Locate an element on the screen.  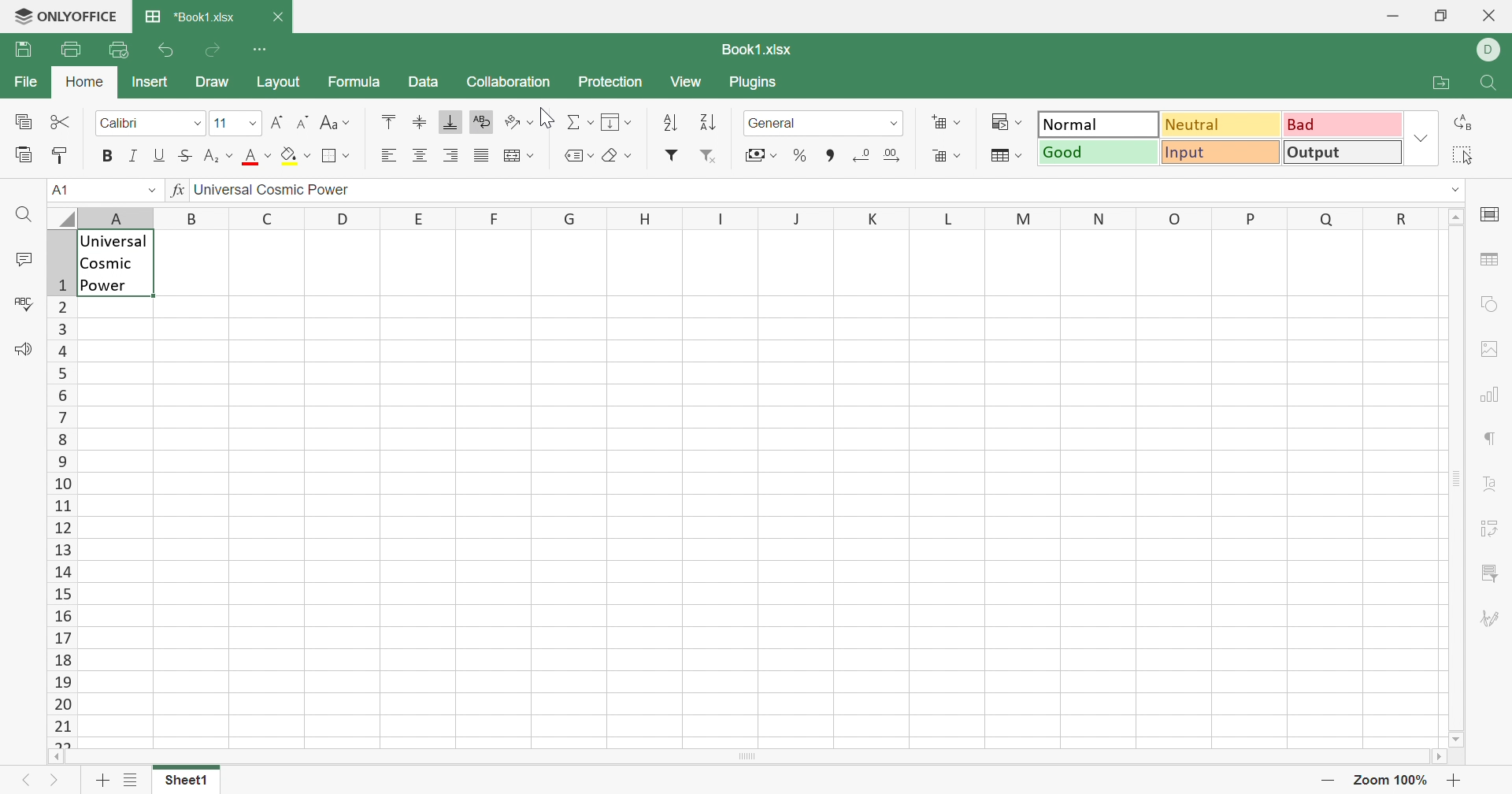
table settings is located at coordinates (1494, 261).